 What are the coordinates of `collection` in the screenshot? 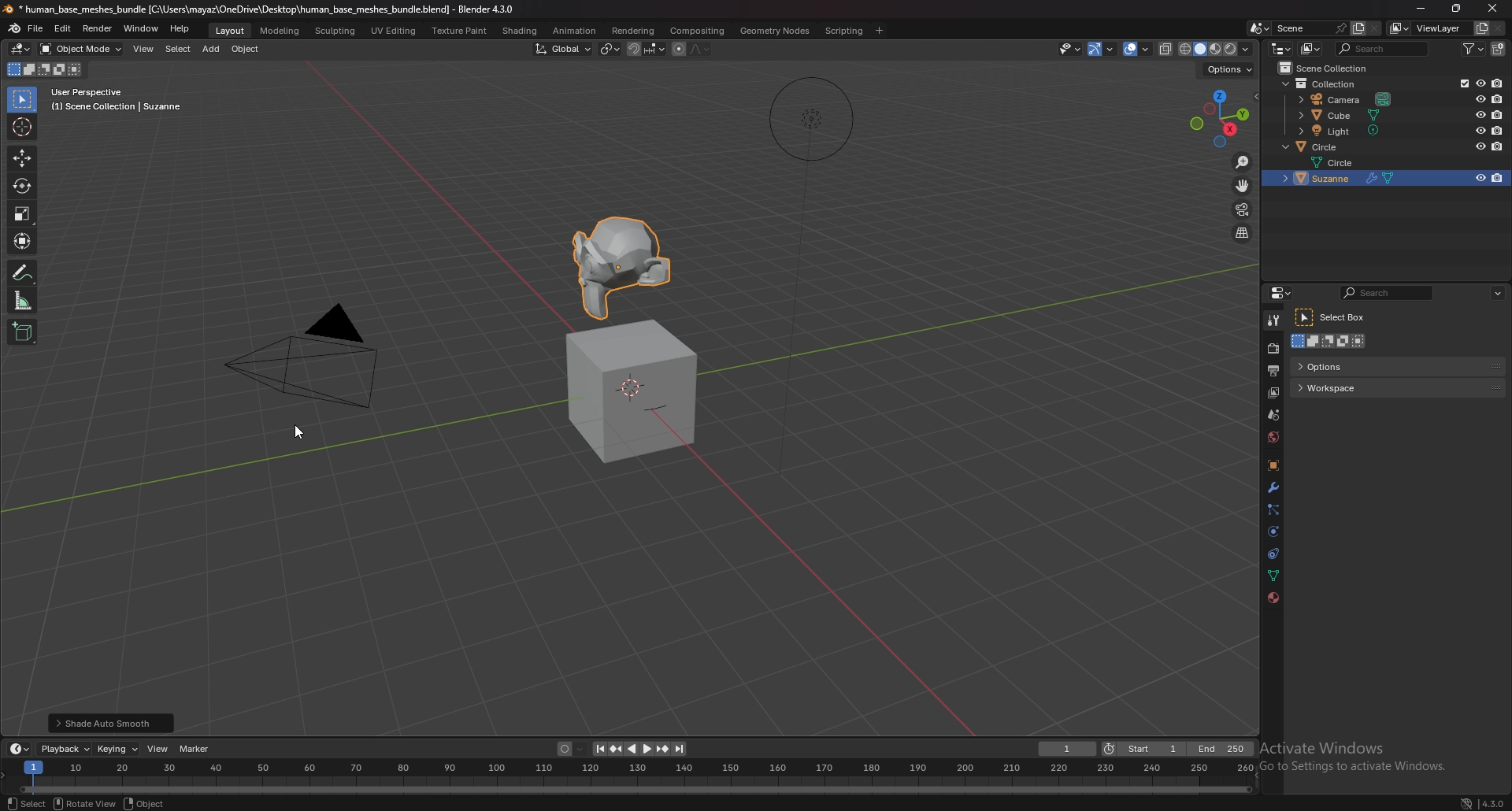 It's located at (1323, 84).